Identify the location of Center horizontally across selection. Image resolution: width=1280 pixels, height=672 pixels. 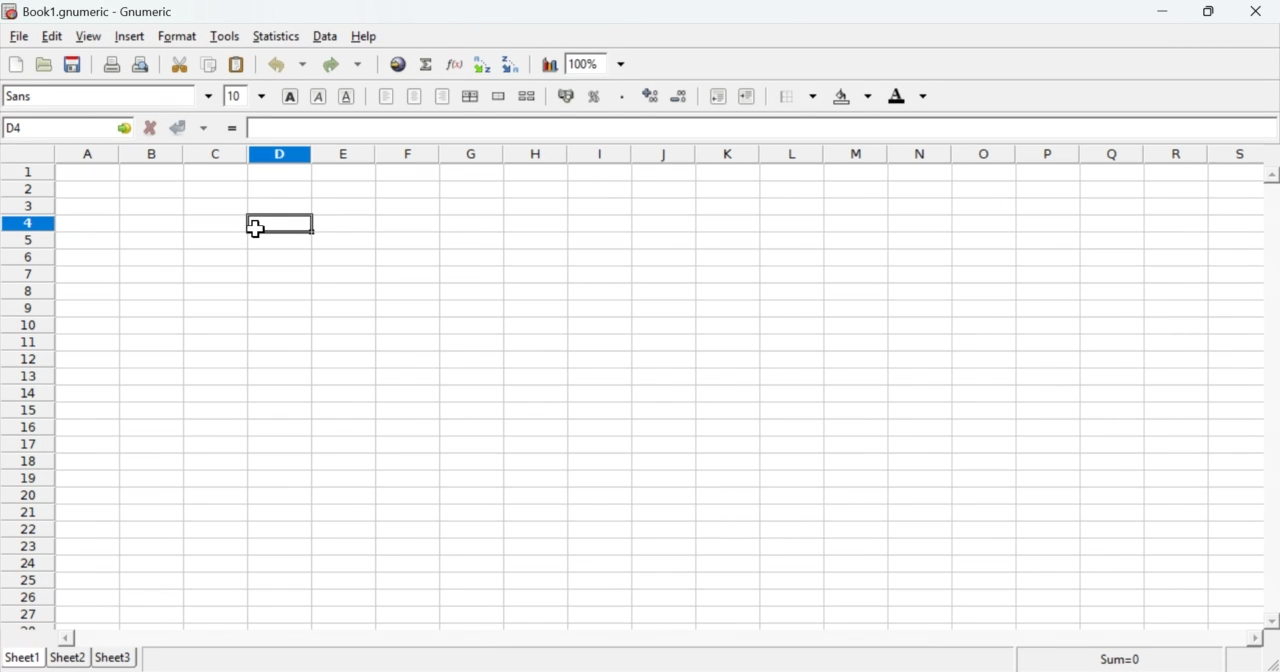
(471, 96).